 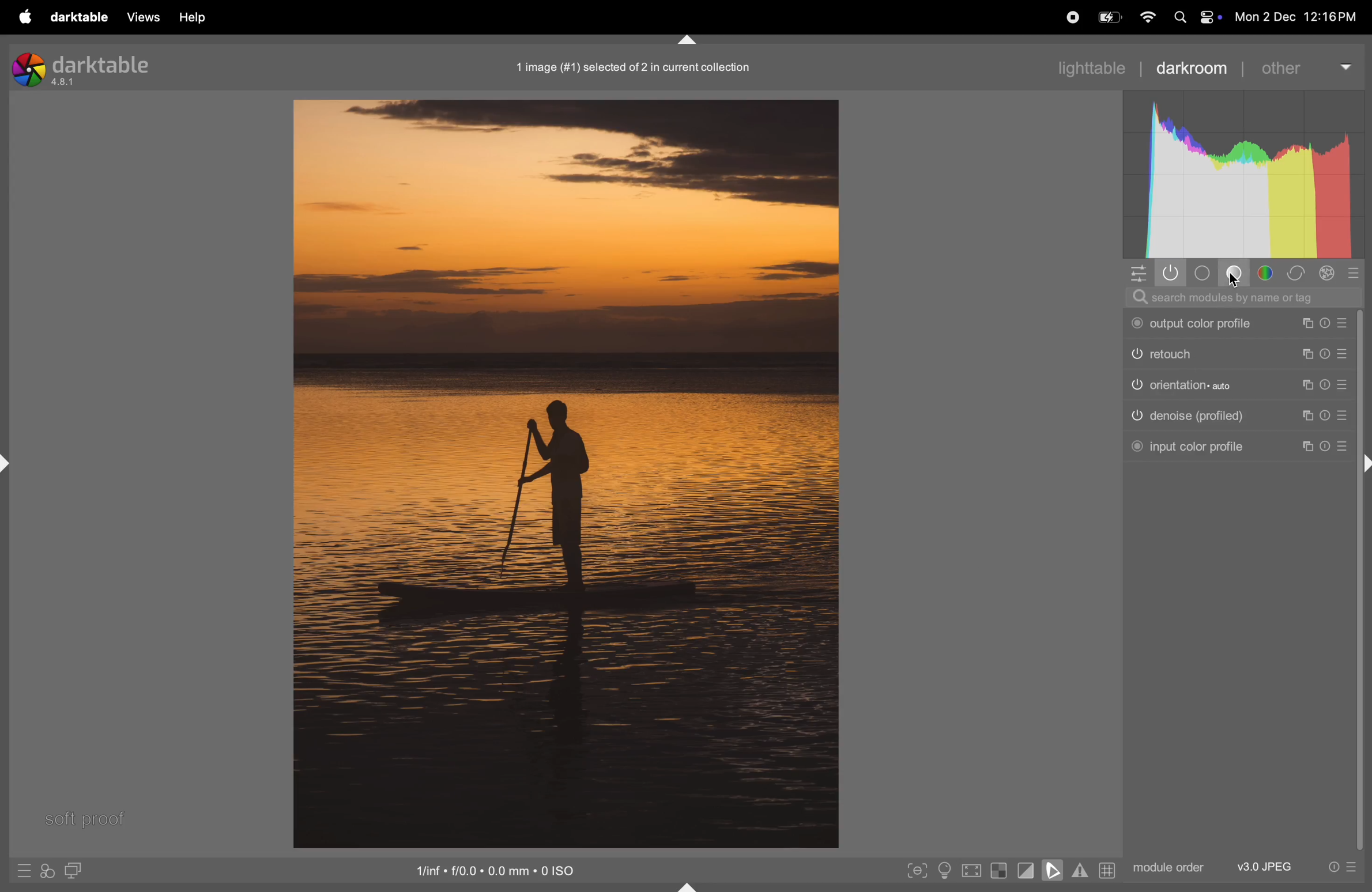 I want to click on batttery, so click(x=1109, y=18).